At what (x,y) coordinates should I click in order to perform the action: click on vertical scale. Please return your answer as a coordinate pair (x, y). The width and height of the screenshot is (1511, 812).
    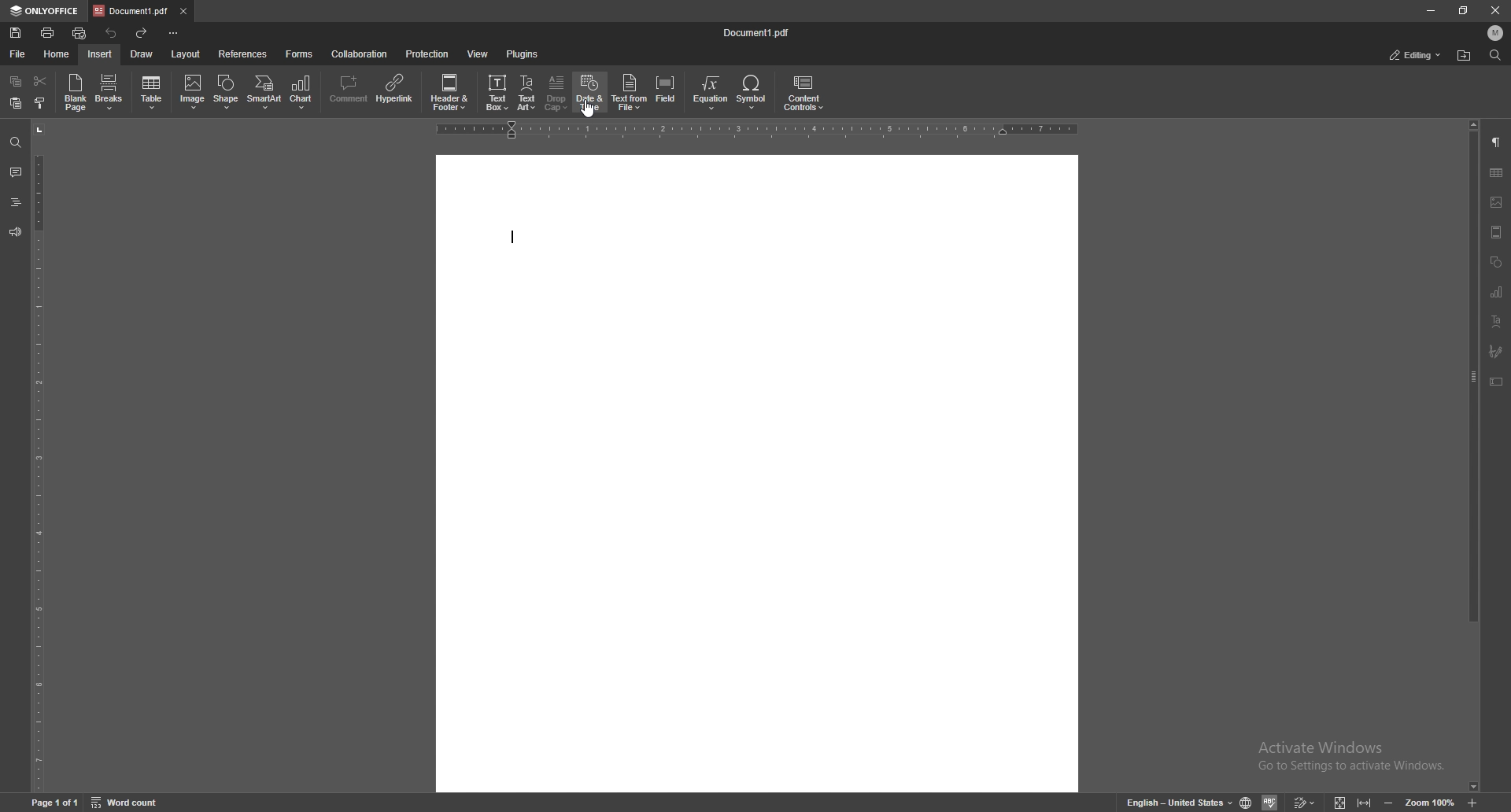
    Looking at the image, I should click on (41, 458).